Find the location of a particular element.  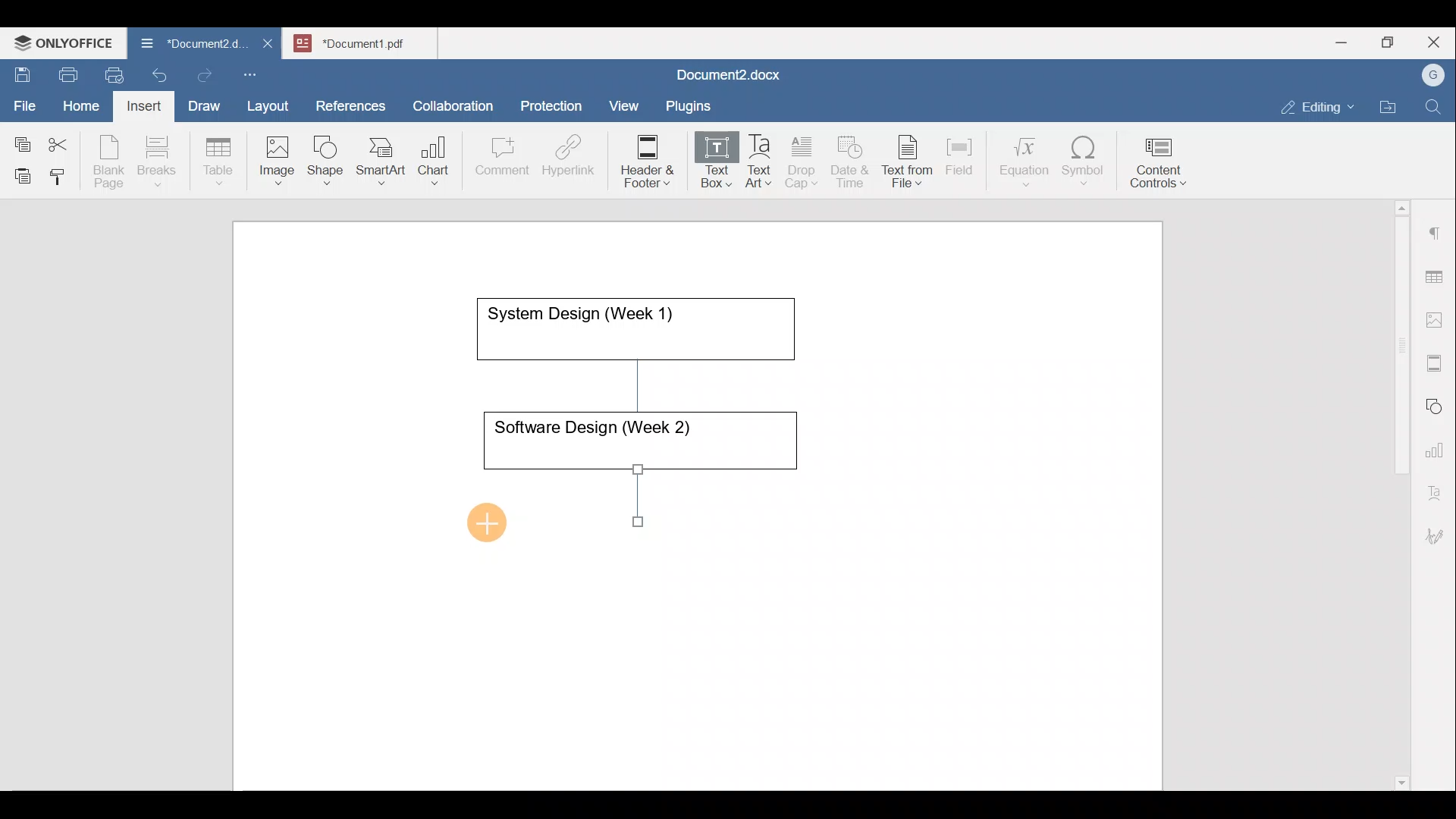

Close document is located at coordinates (268, 45).